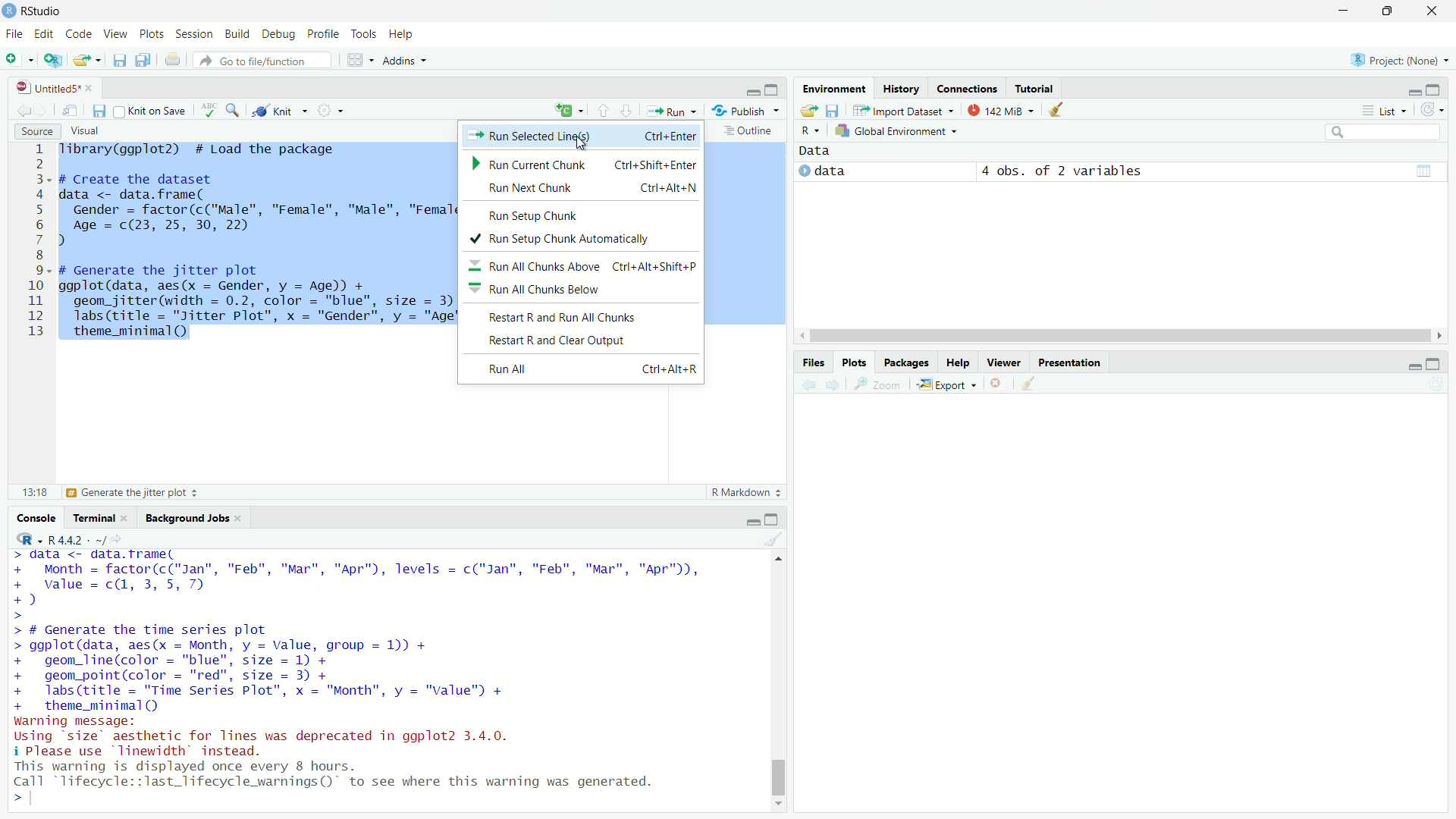 Image resolution: width=1456 pixels, height=819 pixels. What do you see at coordinates (808, 111) in the screenshot?
I see `load workspace` at bounding box center [808, 111].